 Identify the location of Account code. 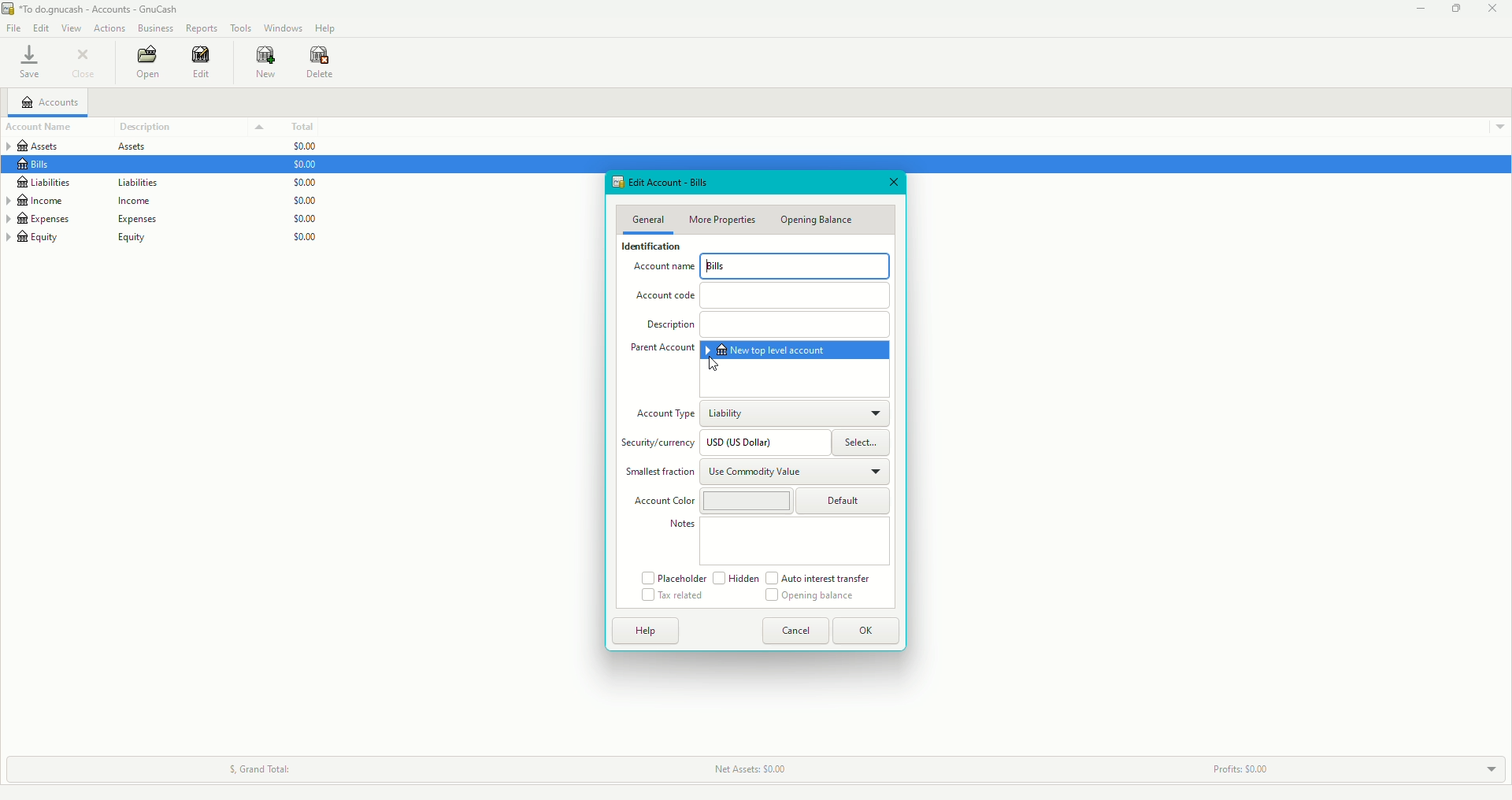
(762, 295).